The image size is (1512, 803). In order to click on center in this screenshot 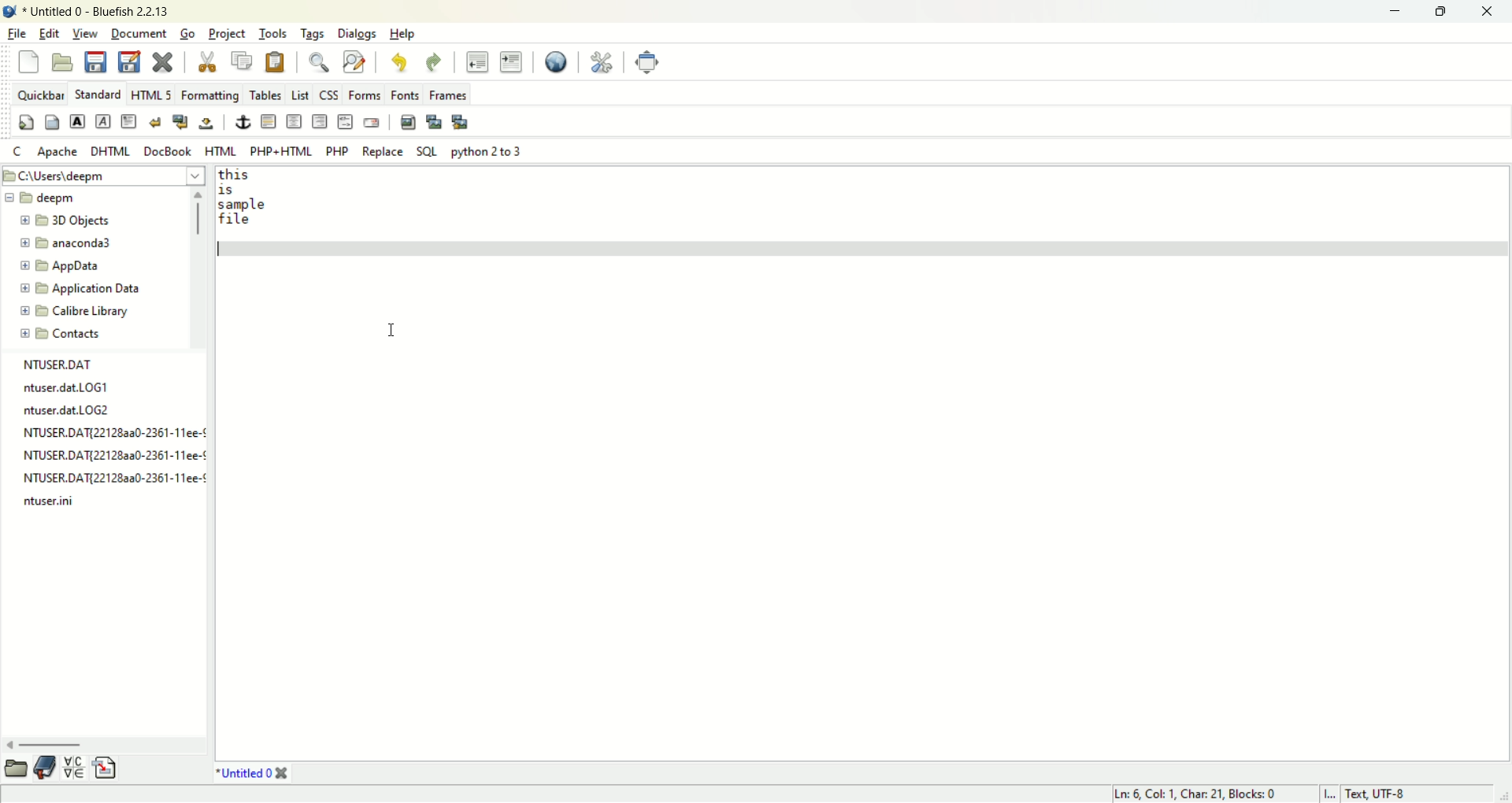, I will do `click(294, 121)`.